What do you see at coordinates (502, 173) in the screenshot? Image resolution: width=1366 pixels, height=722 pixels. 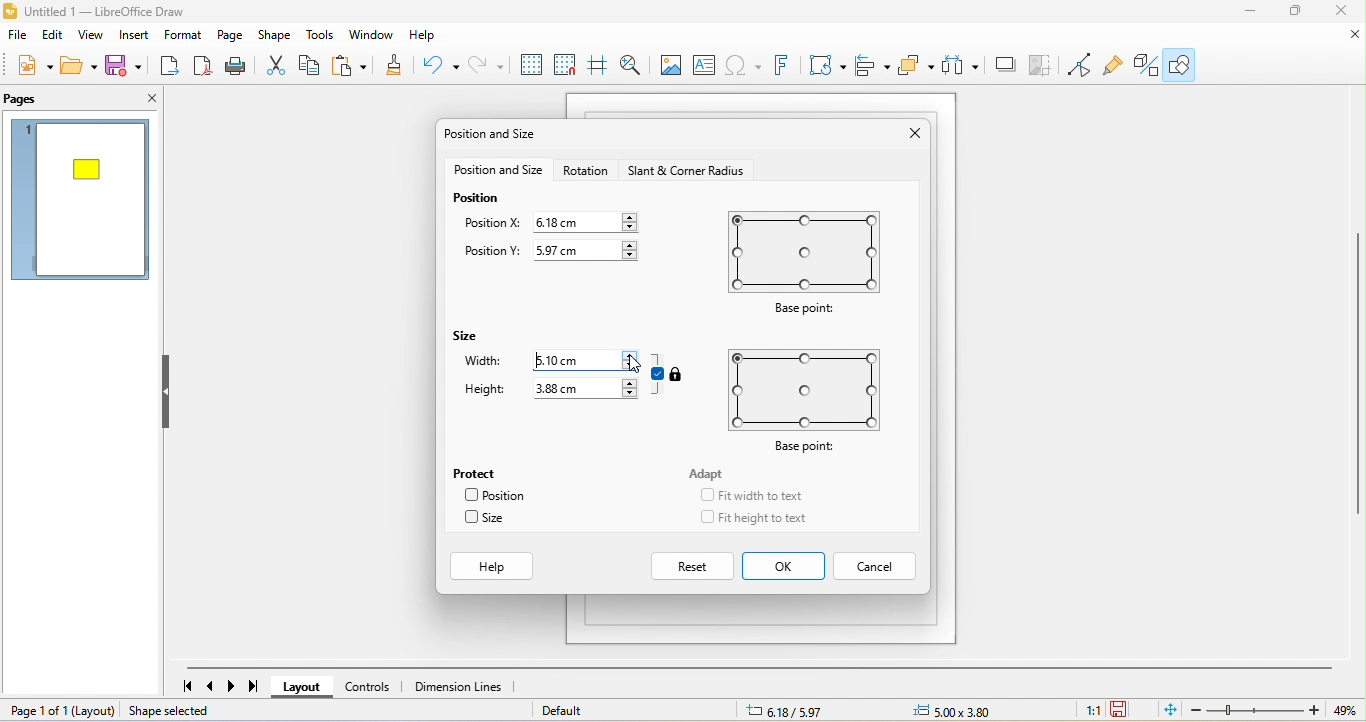 I see `position and size` at bounding box center [502, 173].